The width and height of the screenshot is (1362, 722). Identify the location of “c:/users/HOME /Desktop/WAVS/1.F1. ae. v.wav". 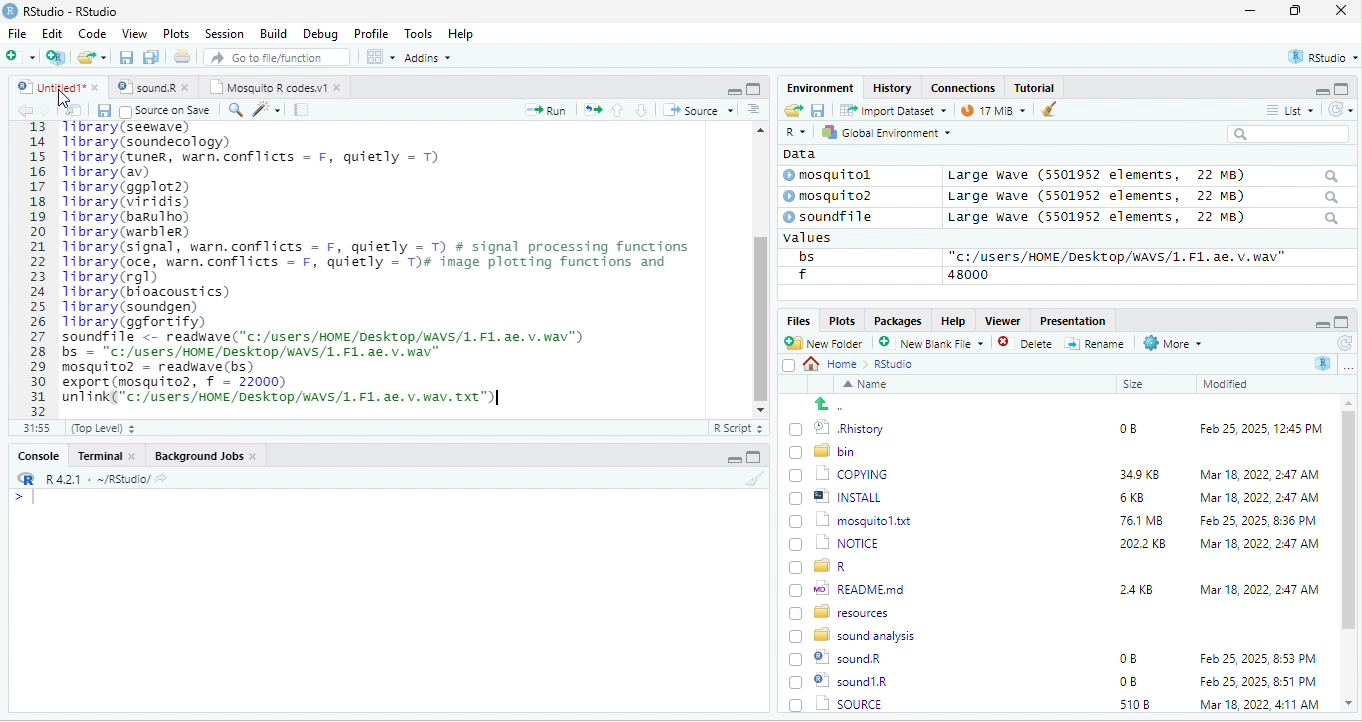
(1117, 256).